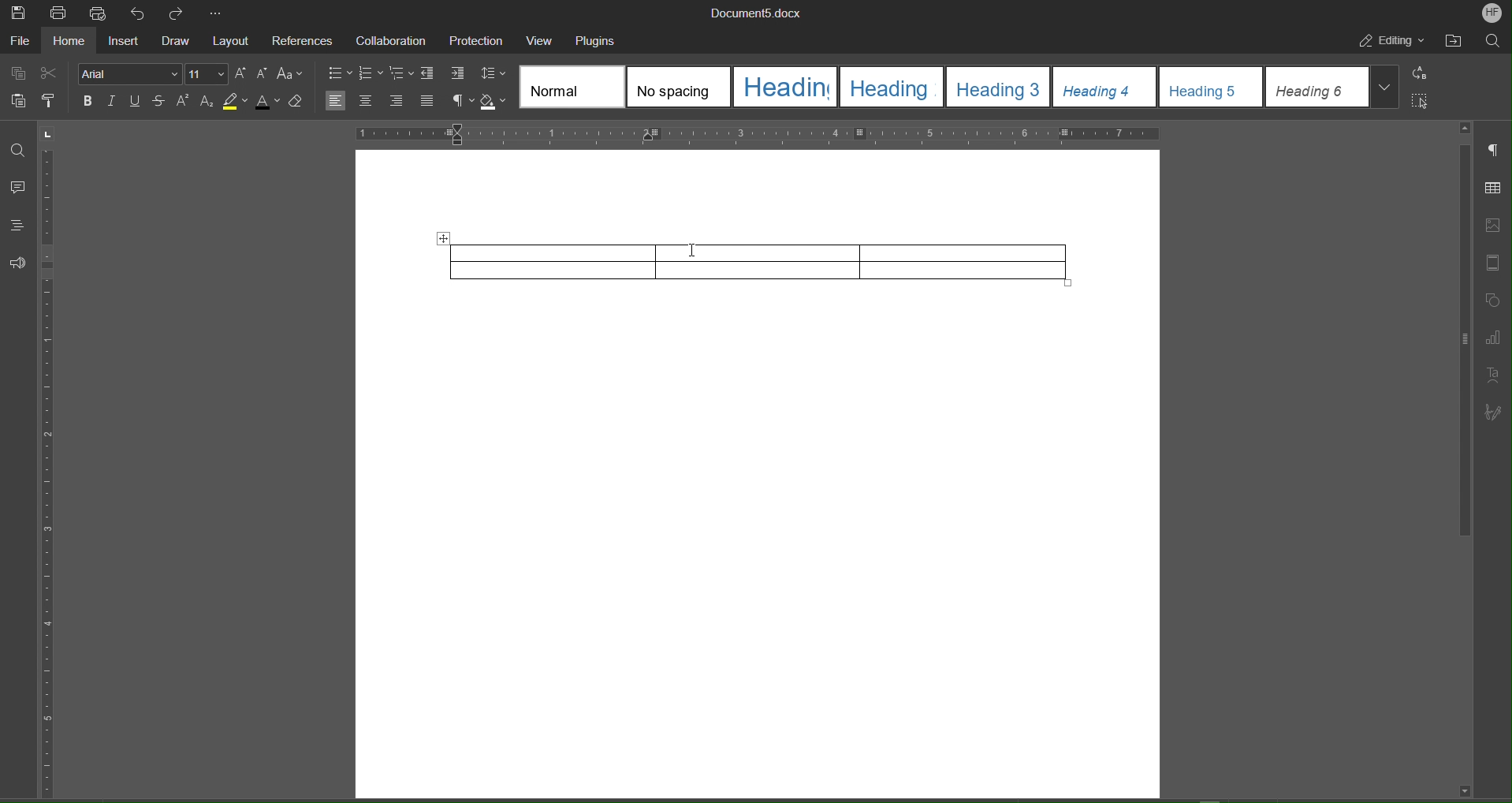  I want to click on Protection, so click(477, 41).